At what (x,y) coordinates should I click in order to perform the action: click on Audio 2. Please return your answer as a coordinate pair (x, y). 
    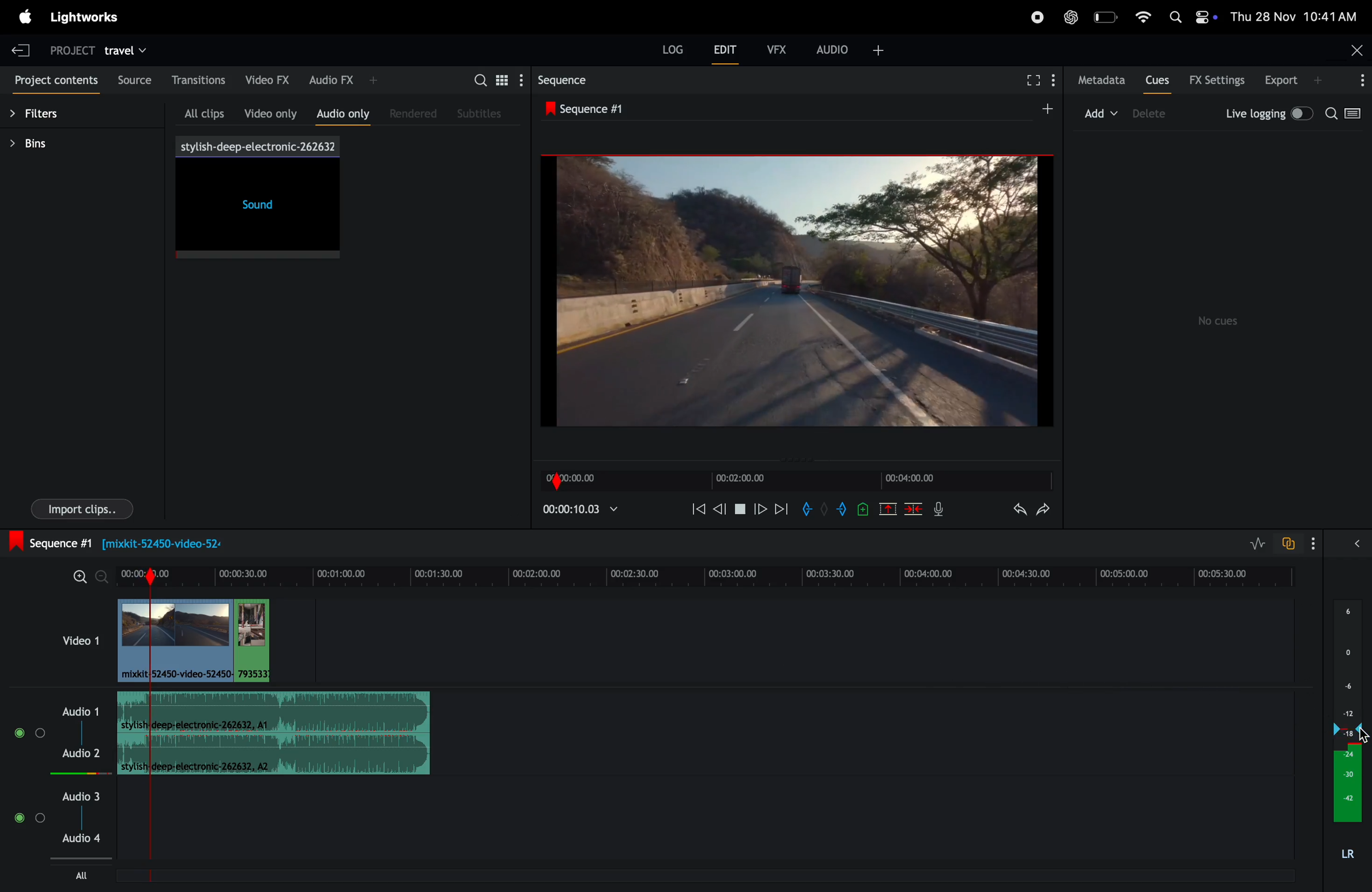
    Looking at the image, I should click on (84, 755).